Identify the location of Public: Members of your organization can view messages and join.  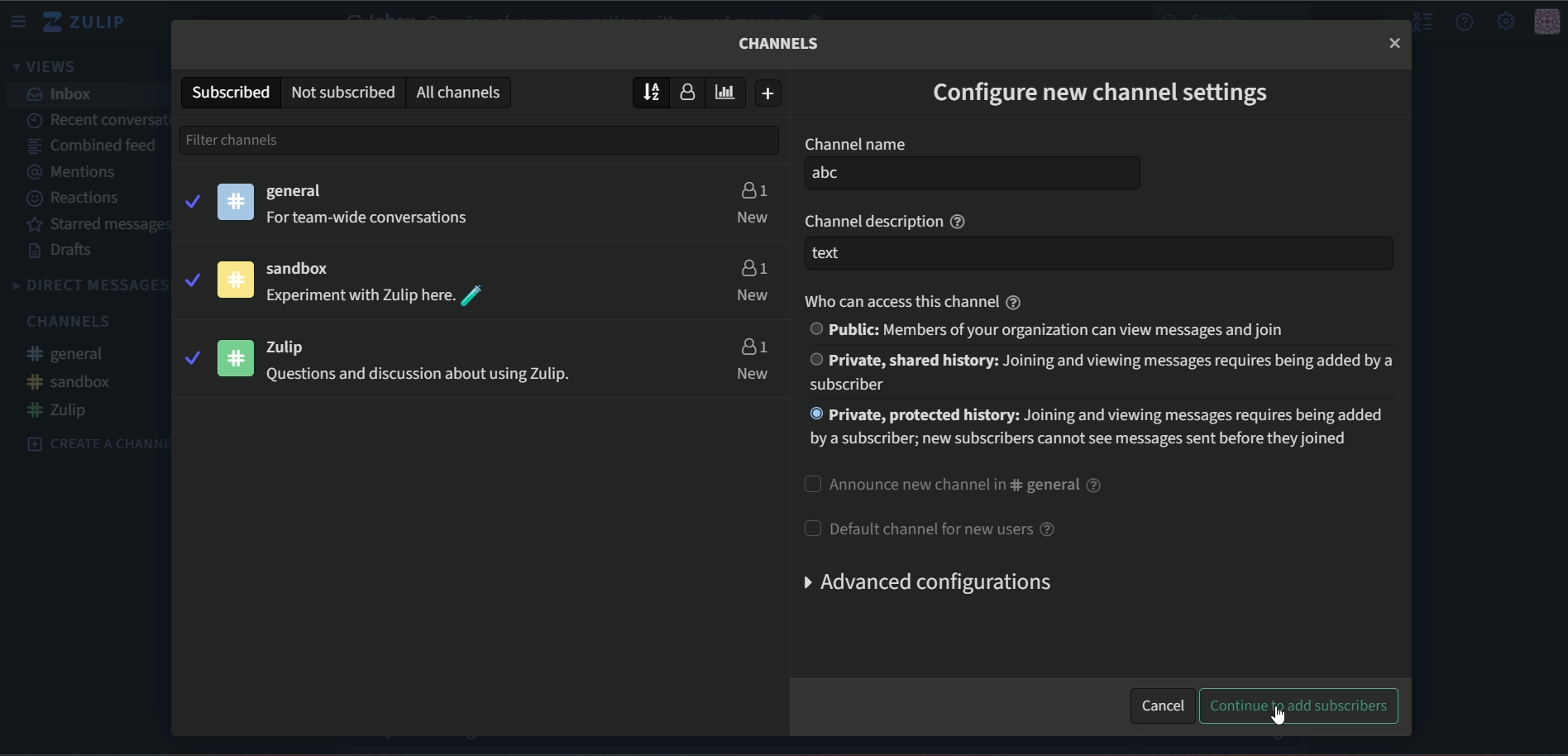
(1054, 329).